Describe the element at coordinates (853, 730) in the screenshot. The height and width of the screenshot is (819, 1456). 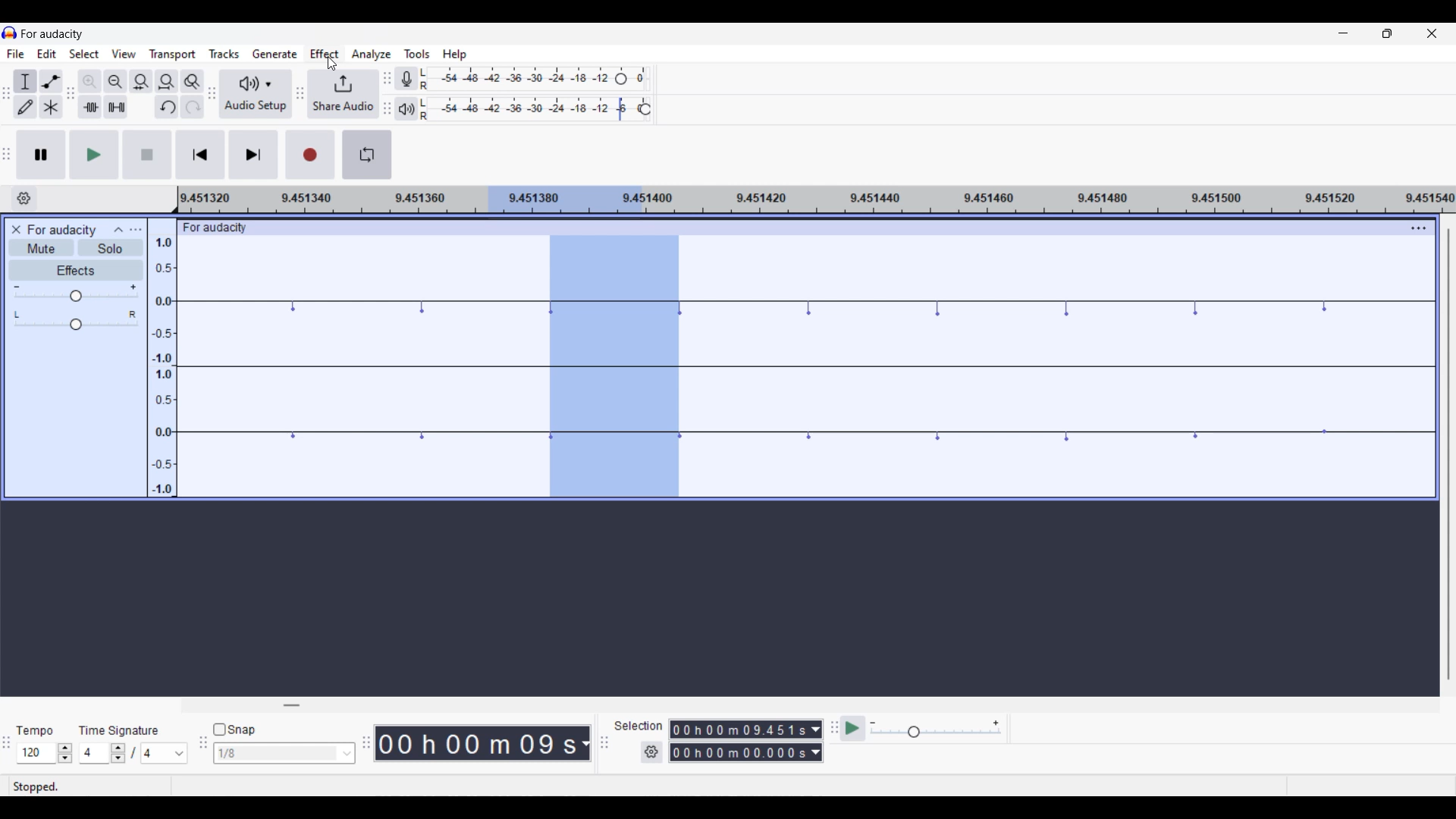
I see `Play at speed/Play at speed once` at that location.